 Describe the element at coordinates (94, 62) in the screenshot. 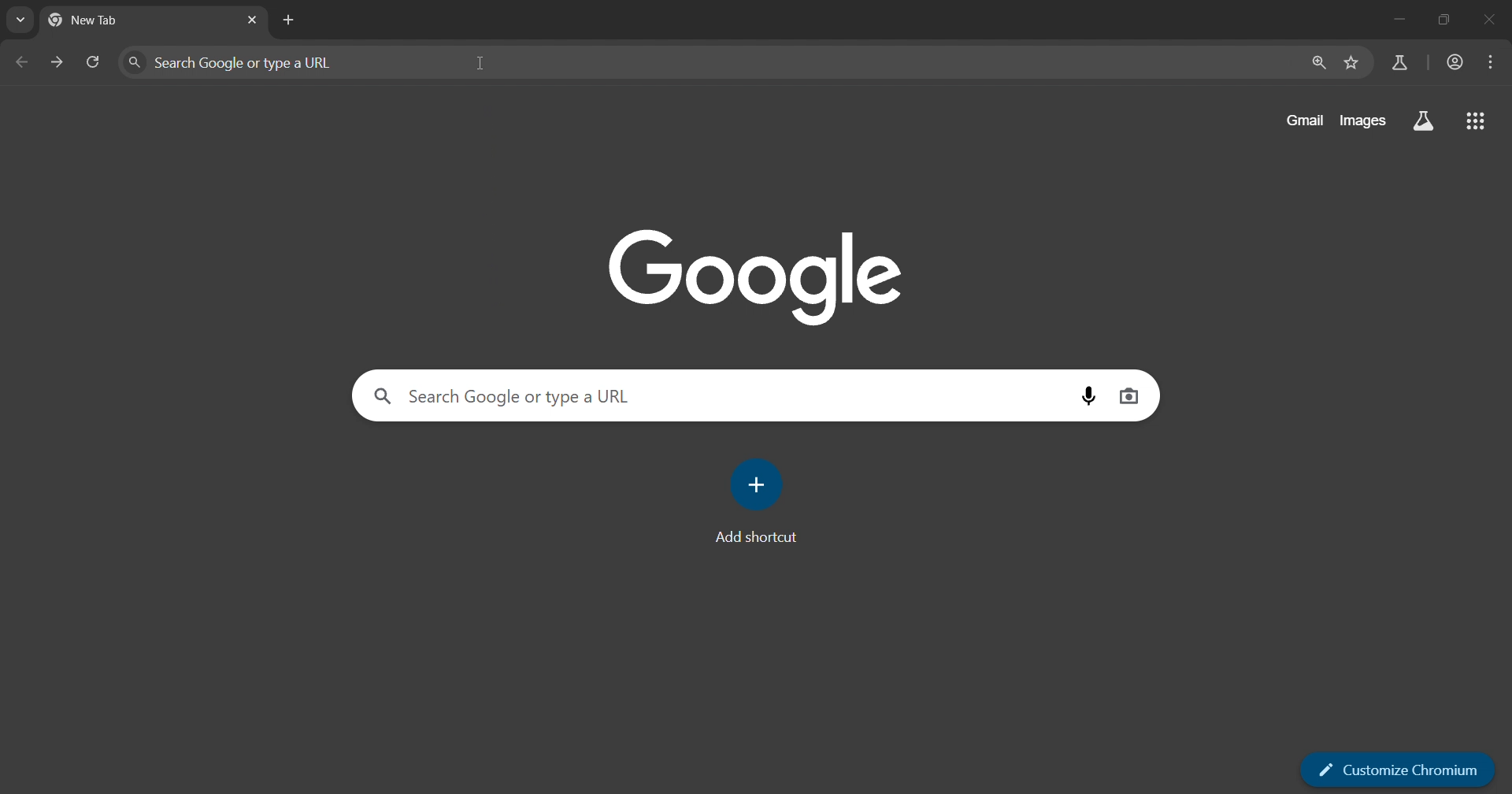

I see `reload page` at that location.